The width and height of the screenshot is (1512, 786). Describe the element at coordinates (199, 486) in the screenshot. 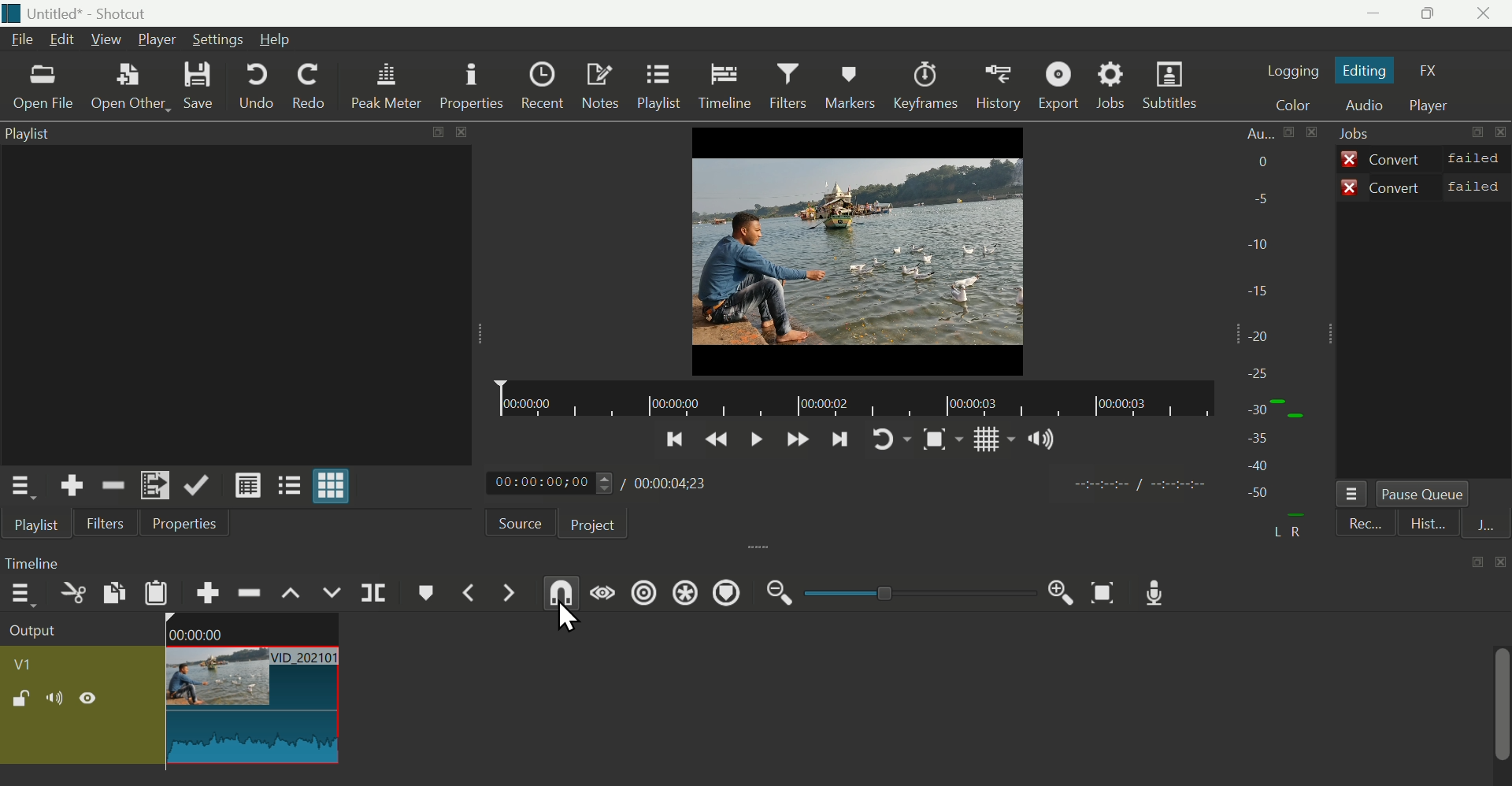

I see `Update` at that location.